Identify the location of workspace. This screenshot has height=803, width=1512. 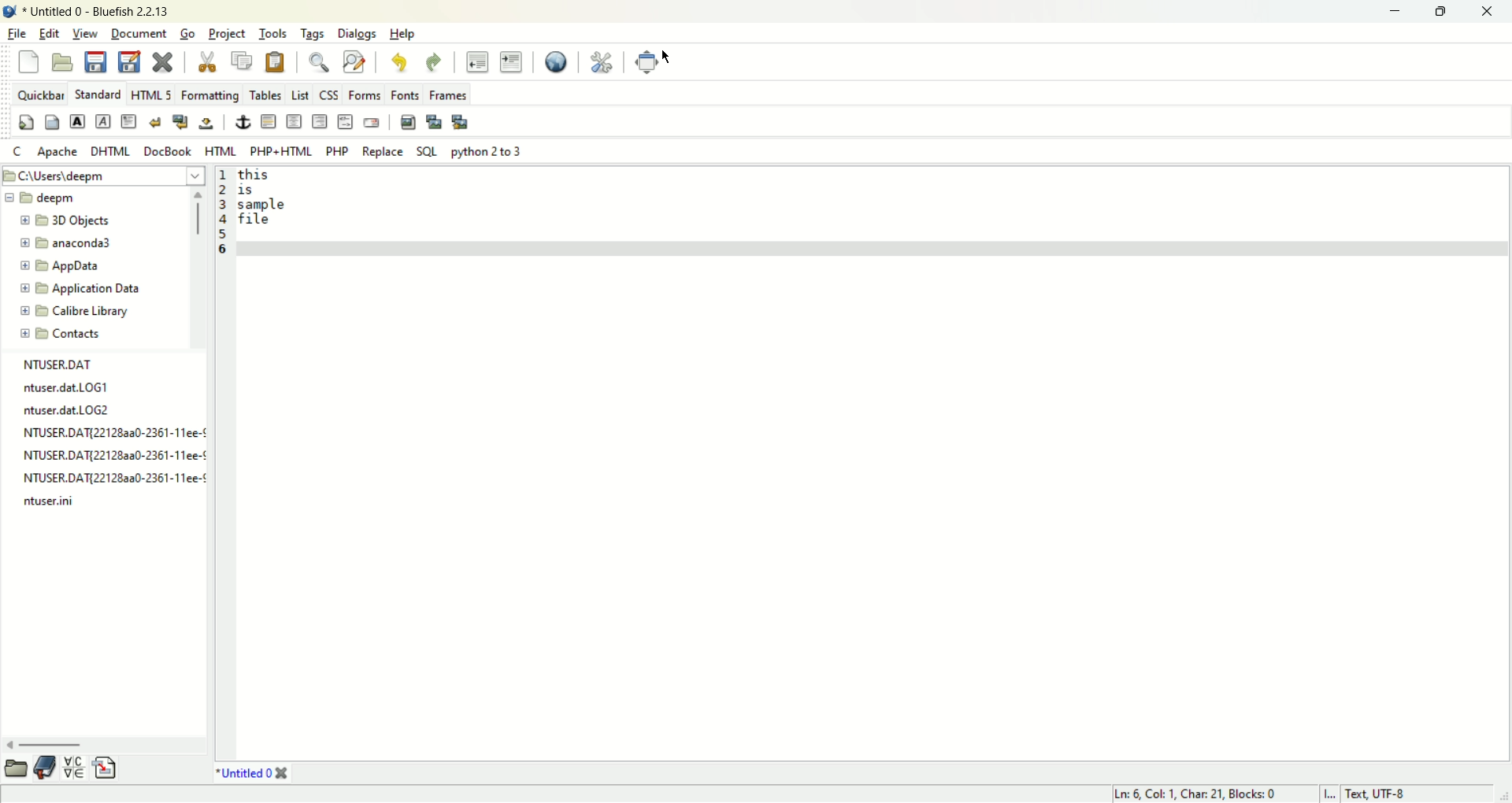
(873, 501).